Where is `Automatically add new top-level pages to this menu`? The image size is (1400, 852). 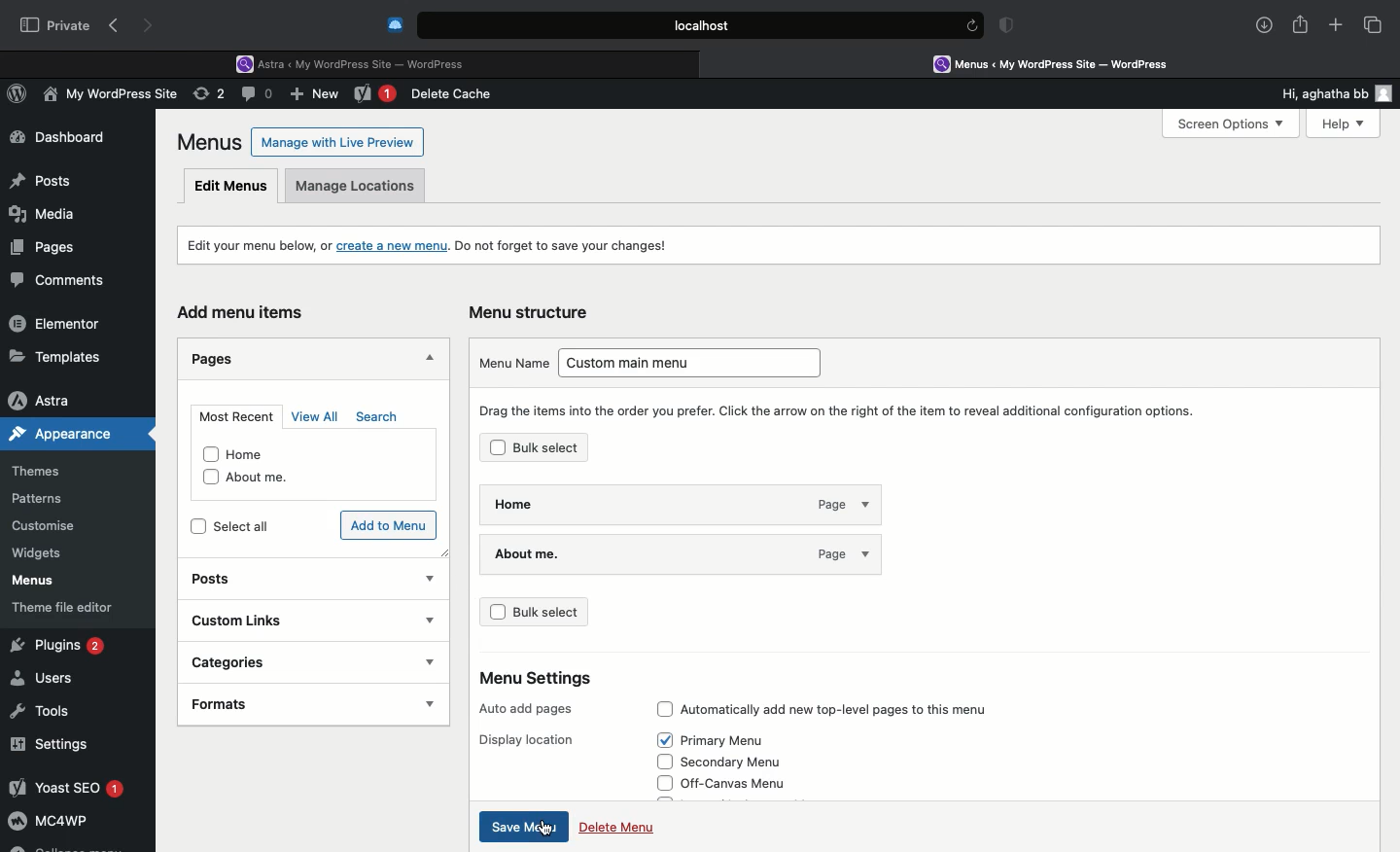 Automatically add new top-level pages to this menu is located at coordinates (859, 709).